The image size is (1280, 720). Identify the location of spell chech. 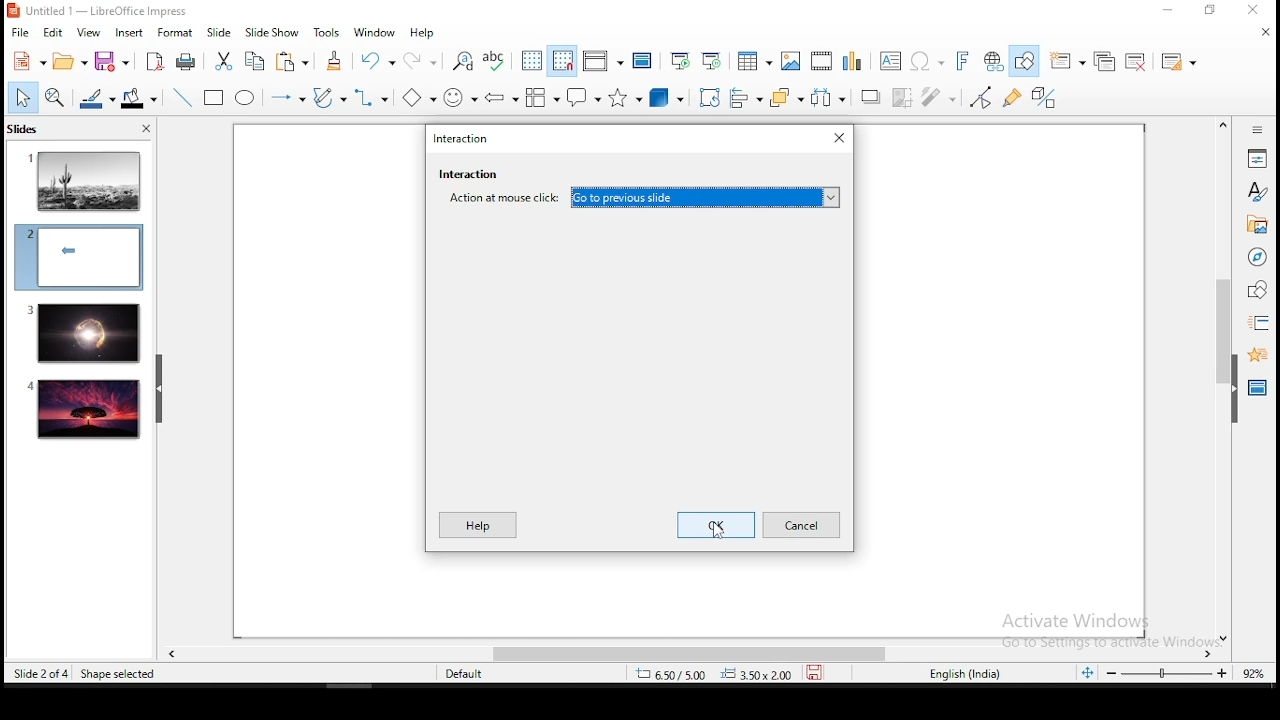
(495, 59).